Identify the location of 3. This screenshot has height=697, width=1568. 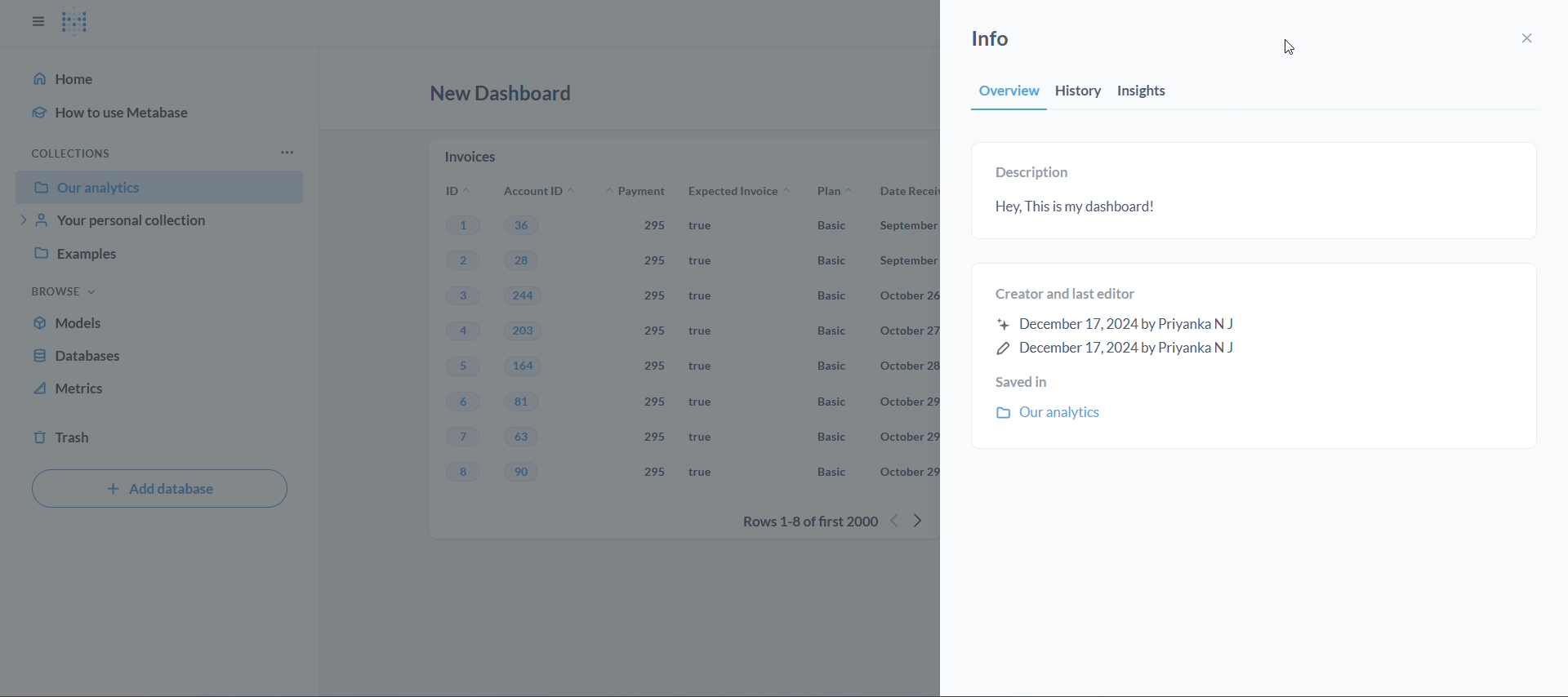
(460, 297).